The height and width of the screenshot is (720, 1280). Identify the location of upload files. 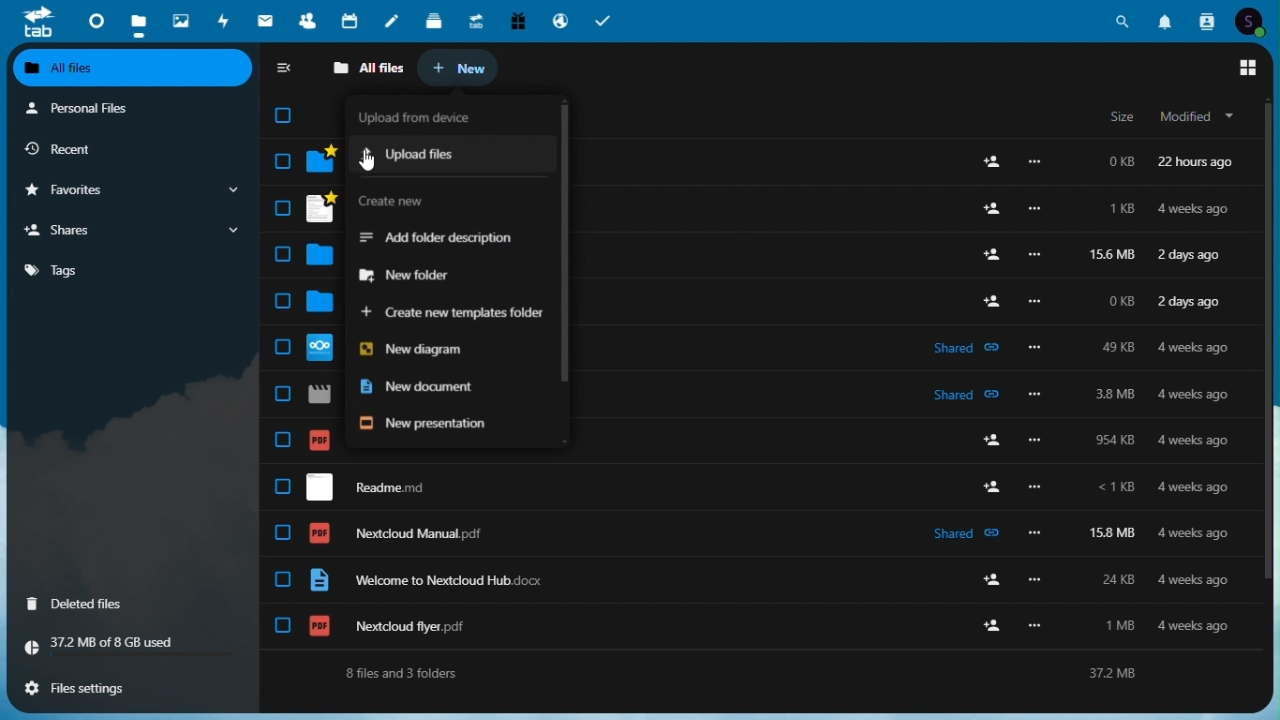
(446, 157).